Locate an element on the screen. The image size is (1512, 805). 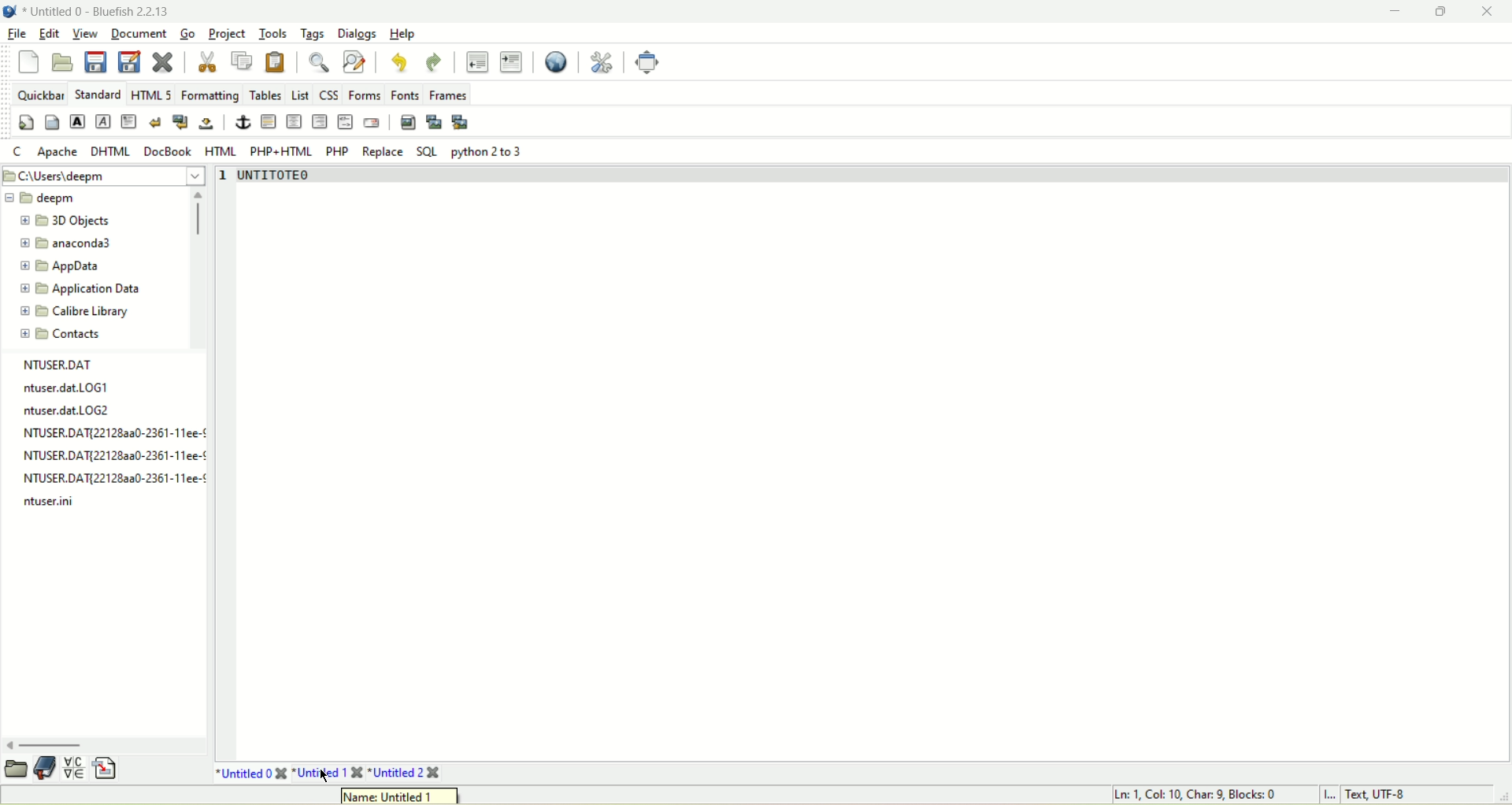
break is located at coordinates (155, 121).